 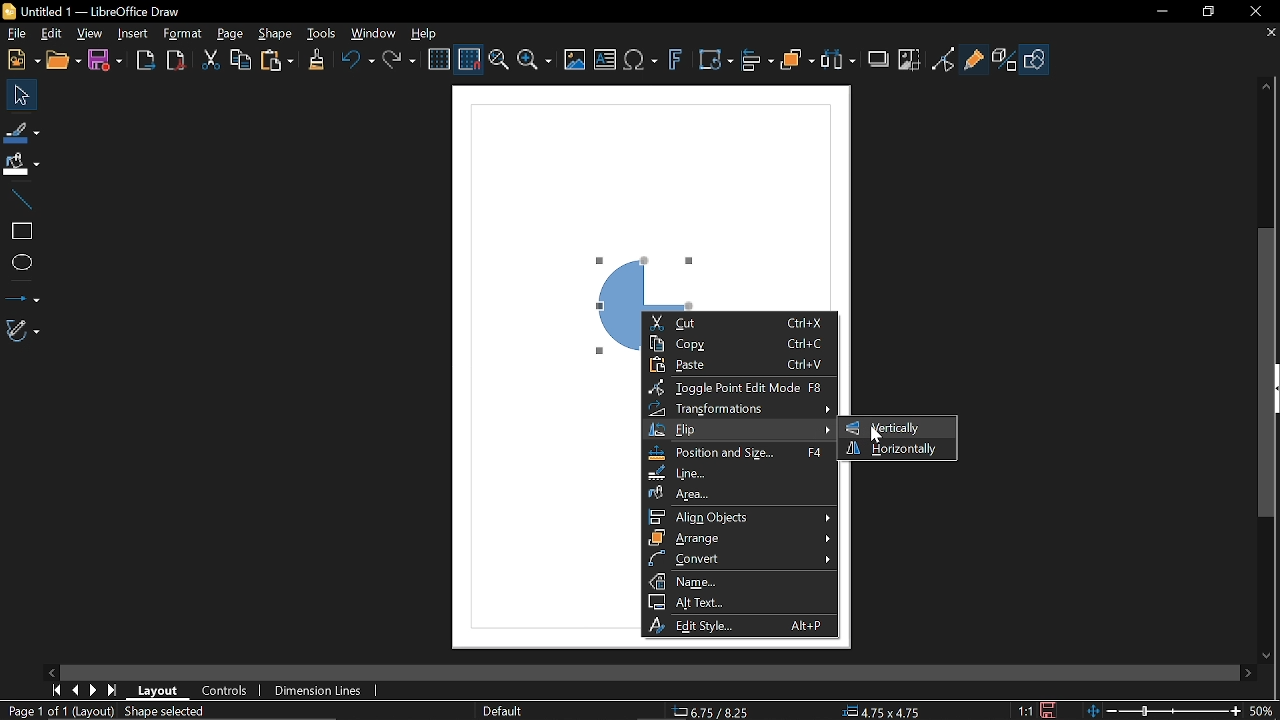 What do you see at coordinates (1207, 10) in the screenshot?
I see `Restore down` at bounding box center [1207, 10].